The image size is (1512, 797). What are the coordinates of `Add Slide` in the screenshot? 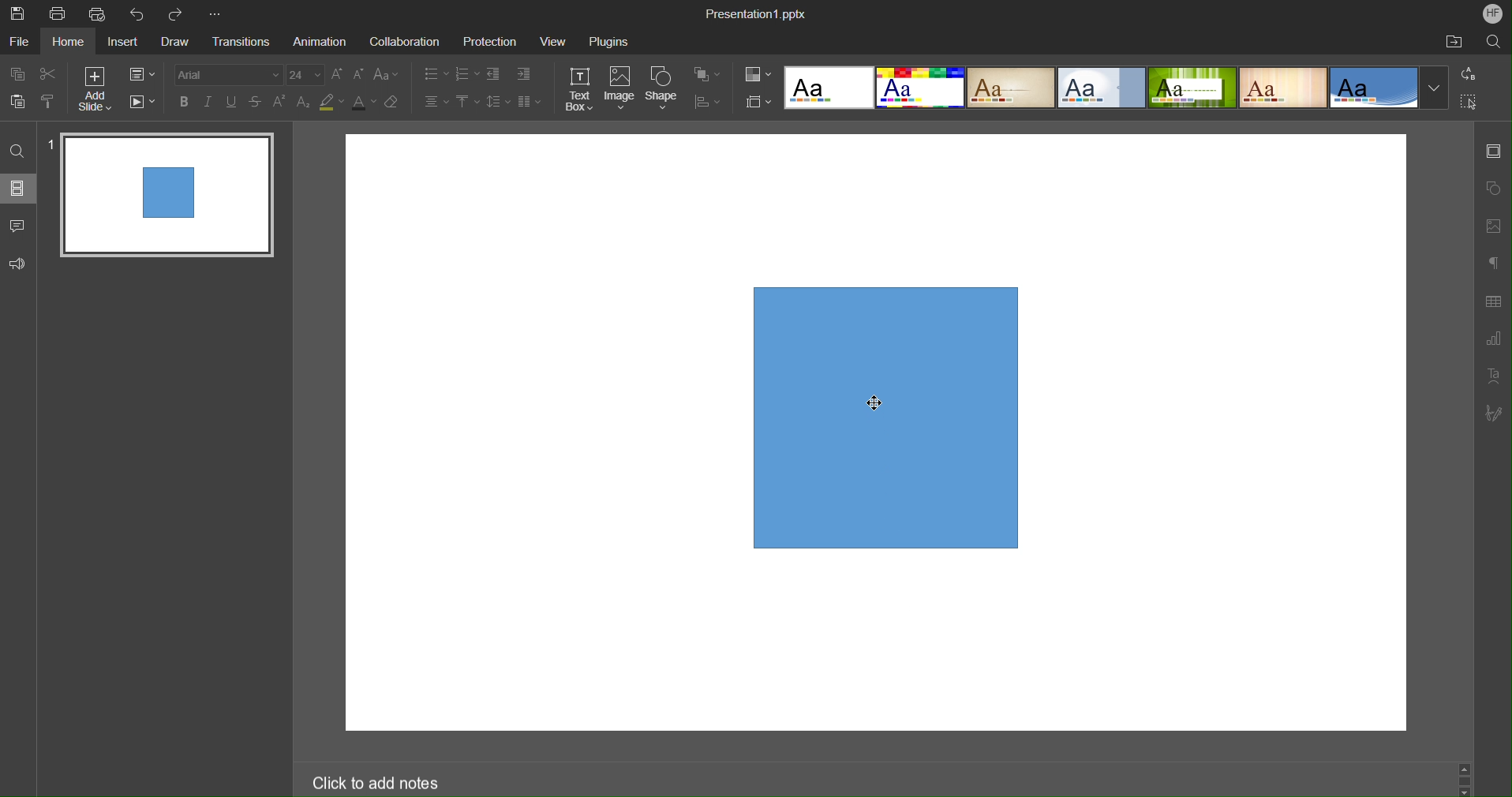 It's located at (93, 89).